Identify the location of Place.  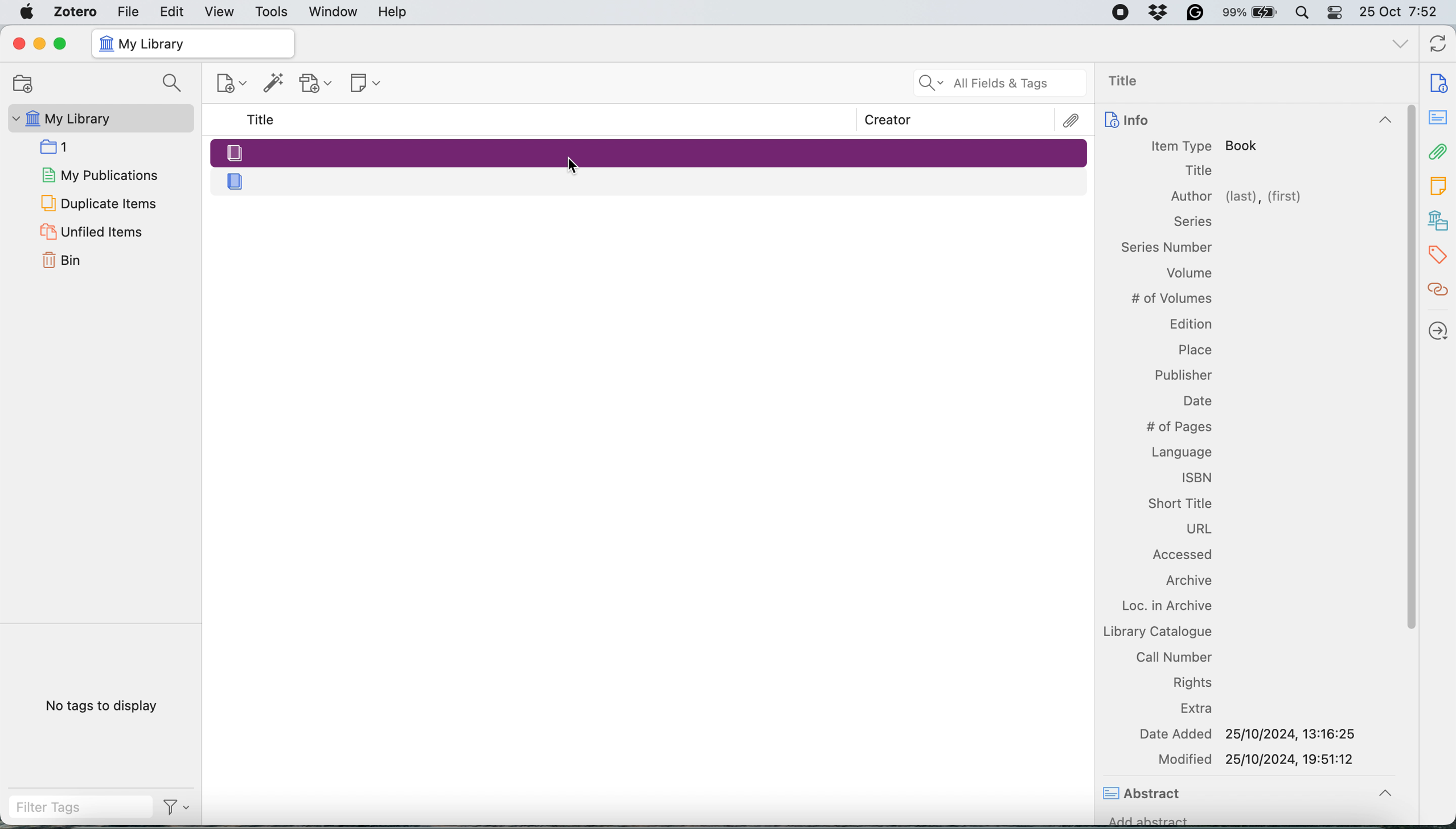
(1195, 347).